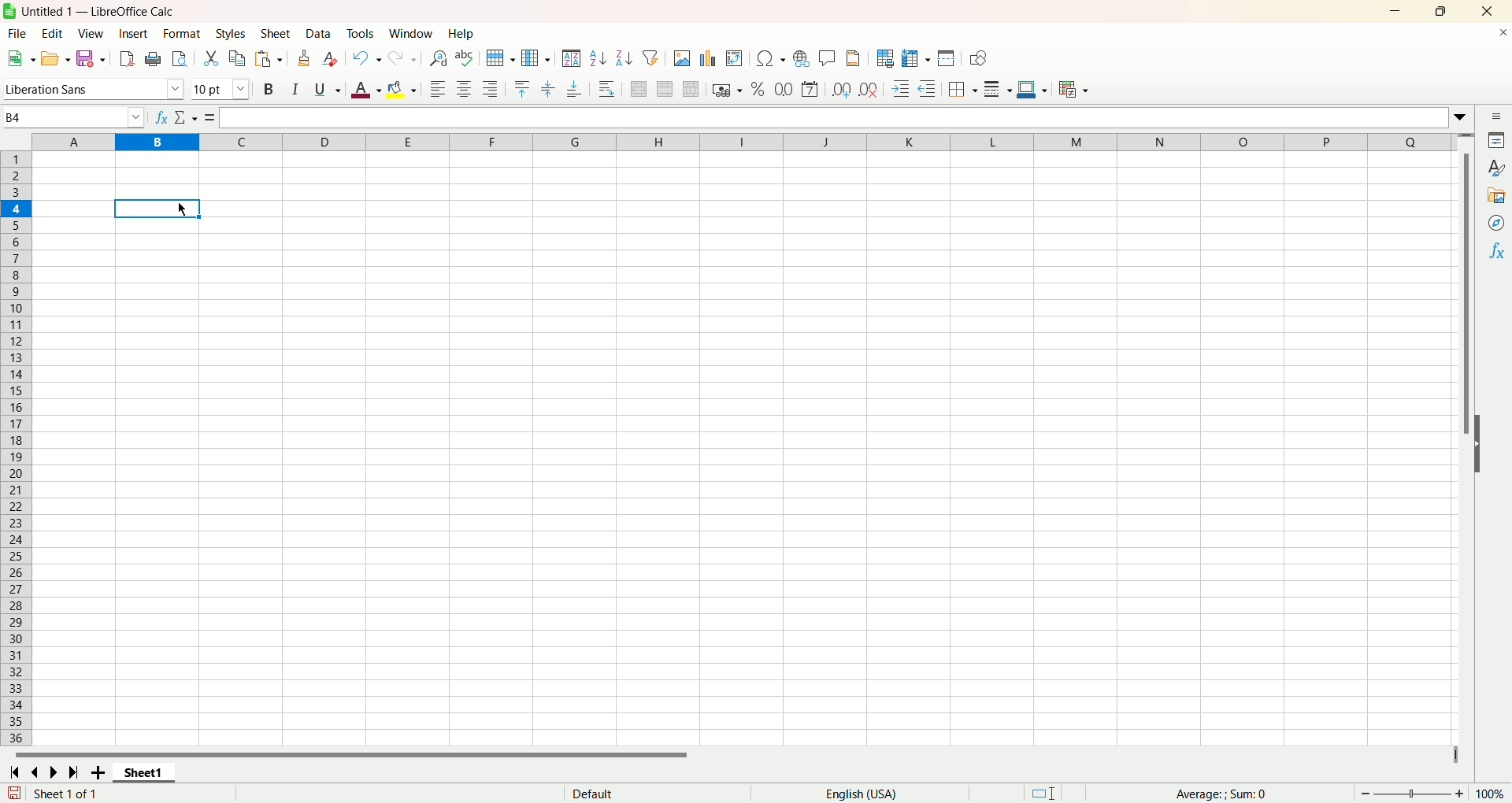 The image size is (1512, 803). What do you see at coordinates (1493, 793) in the screenshot?
I see `zoom percent` at bounding box center [1493, 793].